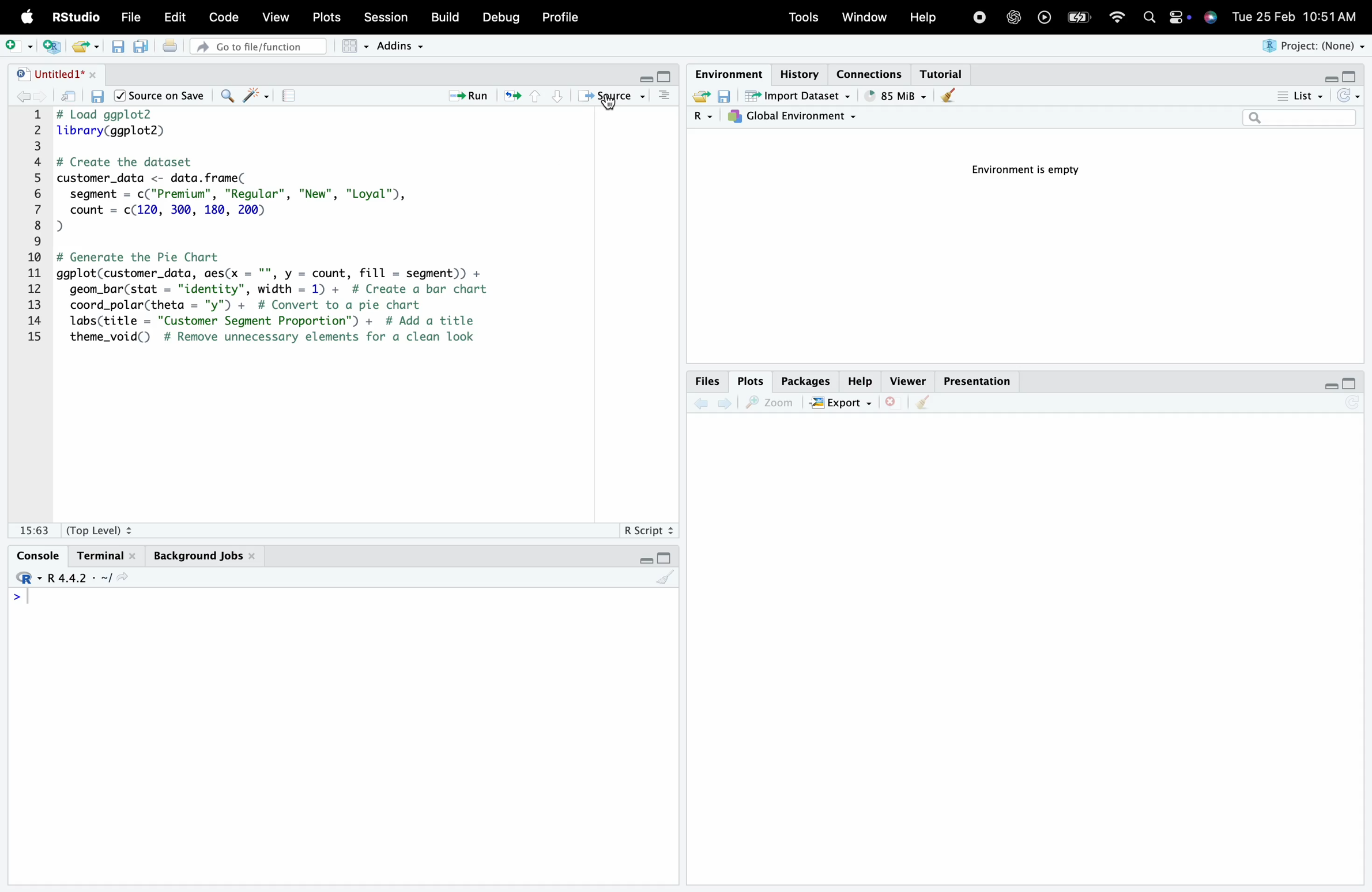  What do you see at coordinates (318, 234) in the screenshot?
I see `# Load ggplot2

library(ggplot2)

# Create the dataset

customer_data <- data. frame(
segment = c("Premium"”, "Regular", "New", "Loyal"),
count = c(120, 300, 180, 200)

J

# Generate the Pie Chart

ggplot(customer_data, aes(x = "", y = count, fill = segment)) +
geom_bar(stat = "identity", width = 1) + # Create a bar chart
coord_polar(theta = "y") + # Convert to a pie chart
labs(title = "Customer Segment Proportion") + # Add a title
theme_void() # Remove unnecessary elements for a clean look` at bounding box center [318, 234].